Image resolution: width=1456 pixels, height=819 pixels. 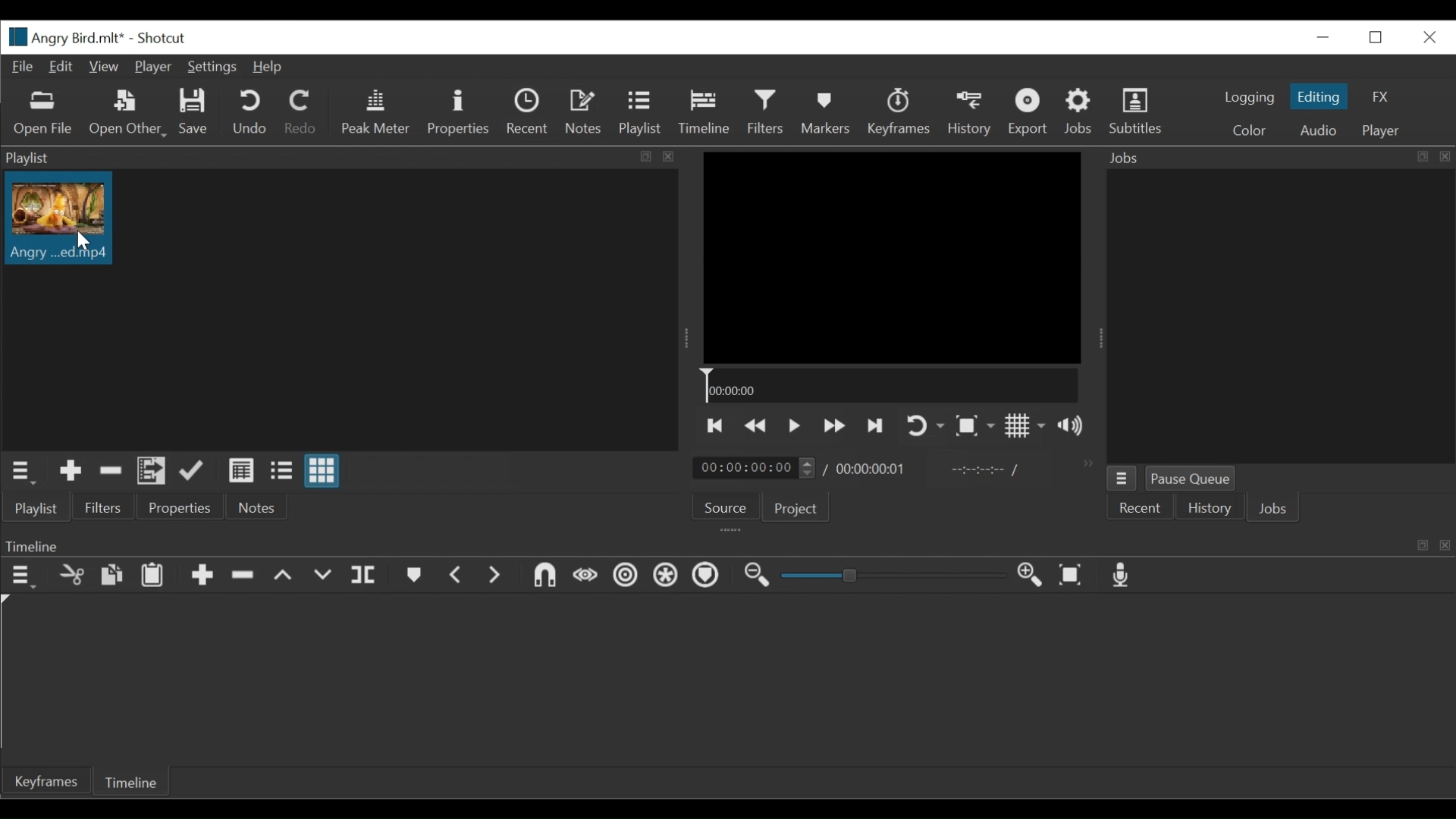 What do you see at coordinates (1382, 132) in the screenshot?
I see `Player` at bounding box center [1382, 132].